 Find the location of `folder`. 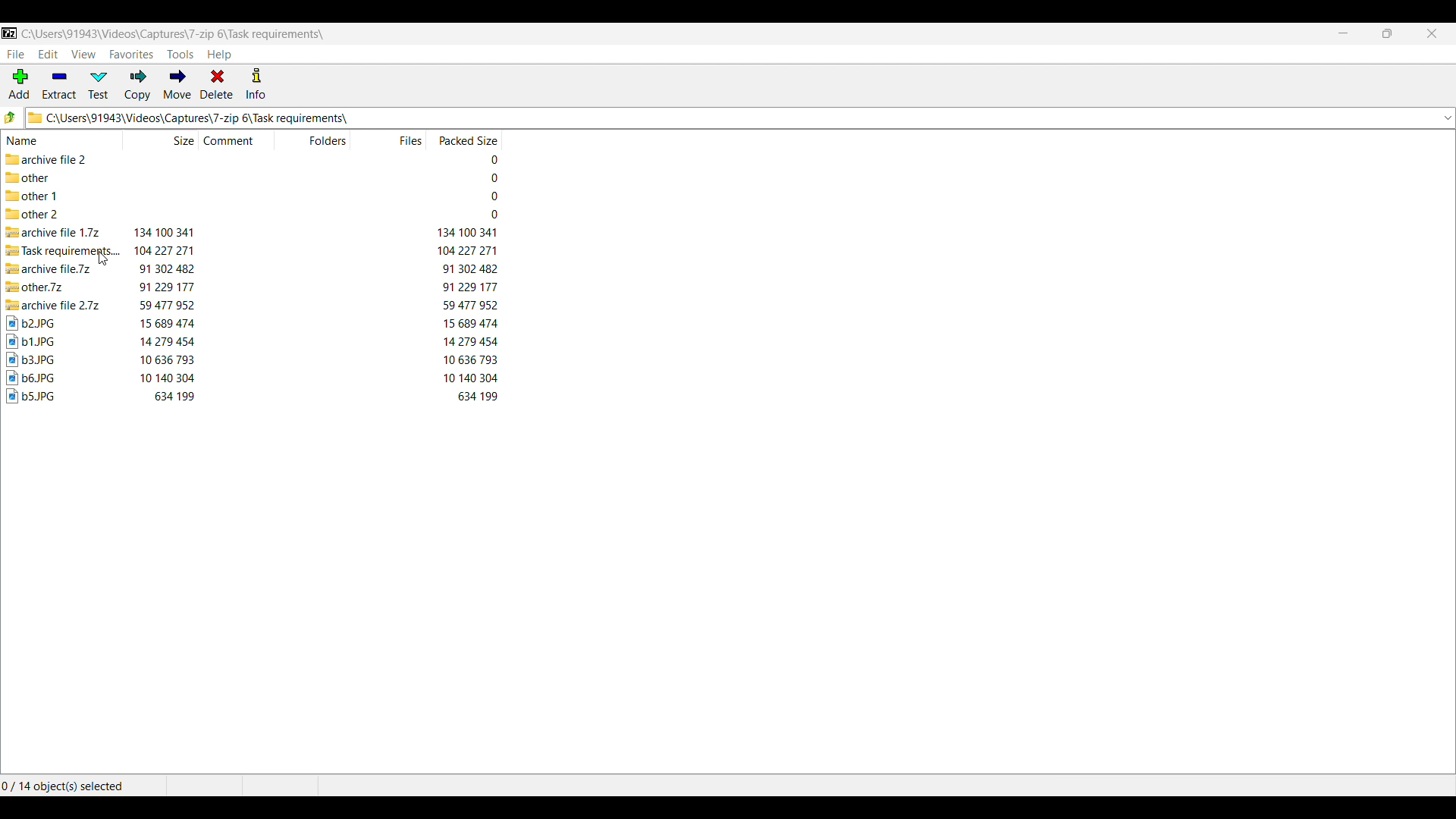

folder is located at coordinates (50, 196).